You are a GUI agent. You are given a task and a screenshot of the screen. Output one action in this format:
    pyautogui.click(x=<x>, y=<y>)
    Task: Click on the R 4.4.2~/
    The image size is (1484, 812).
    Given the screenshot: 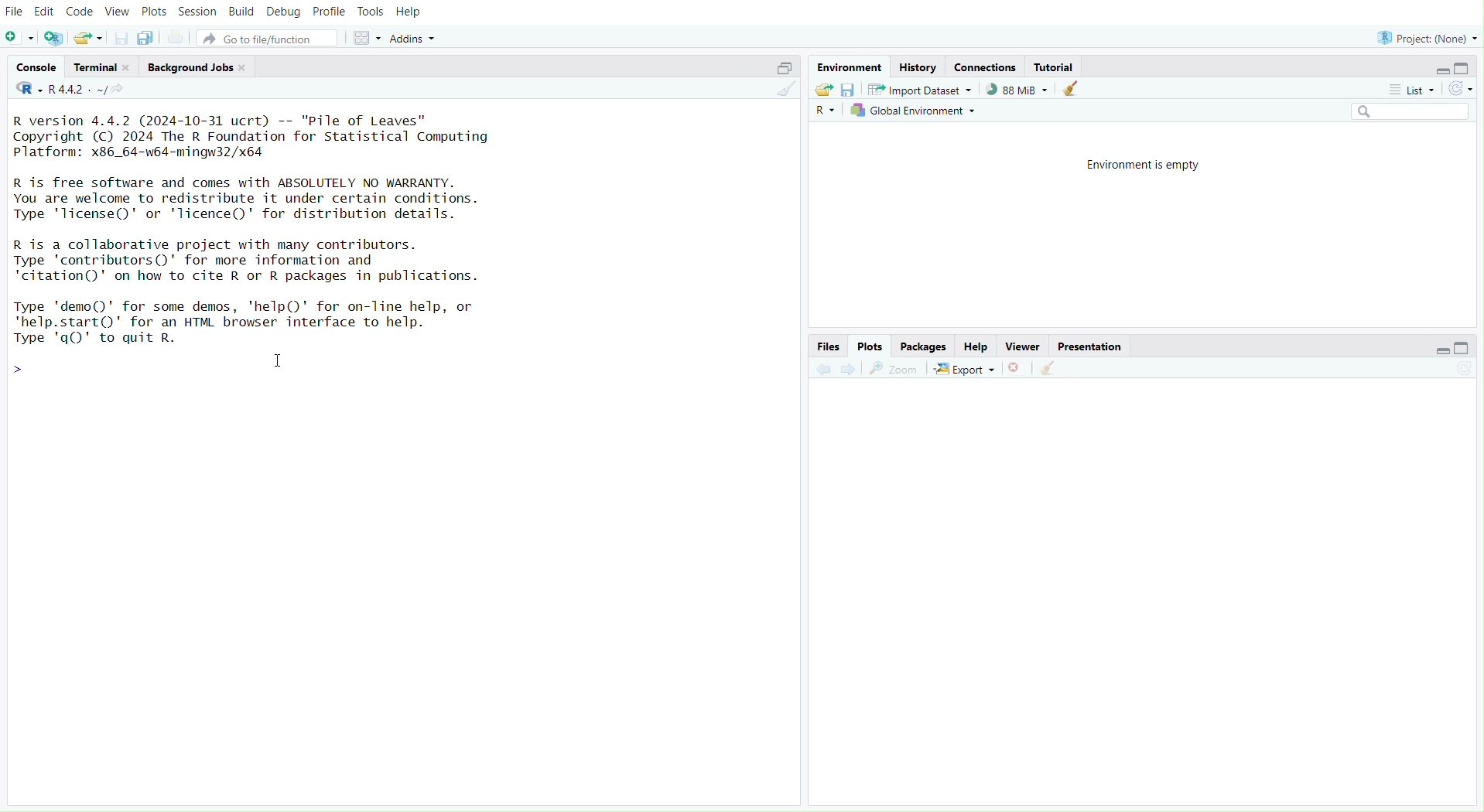 What is the action you would take?
    pyautogui.click(x=78, y=91)
    